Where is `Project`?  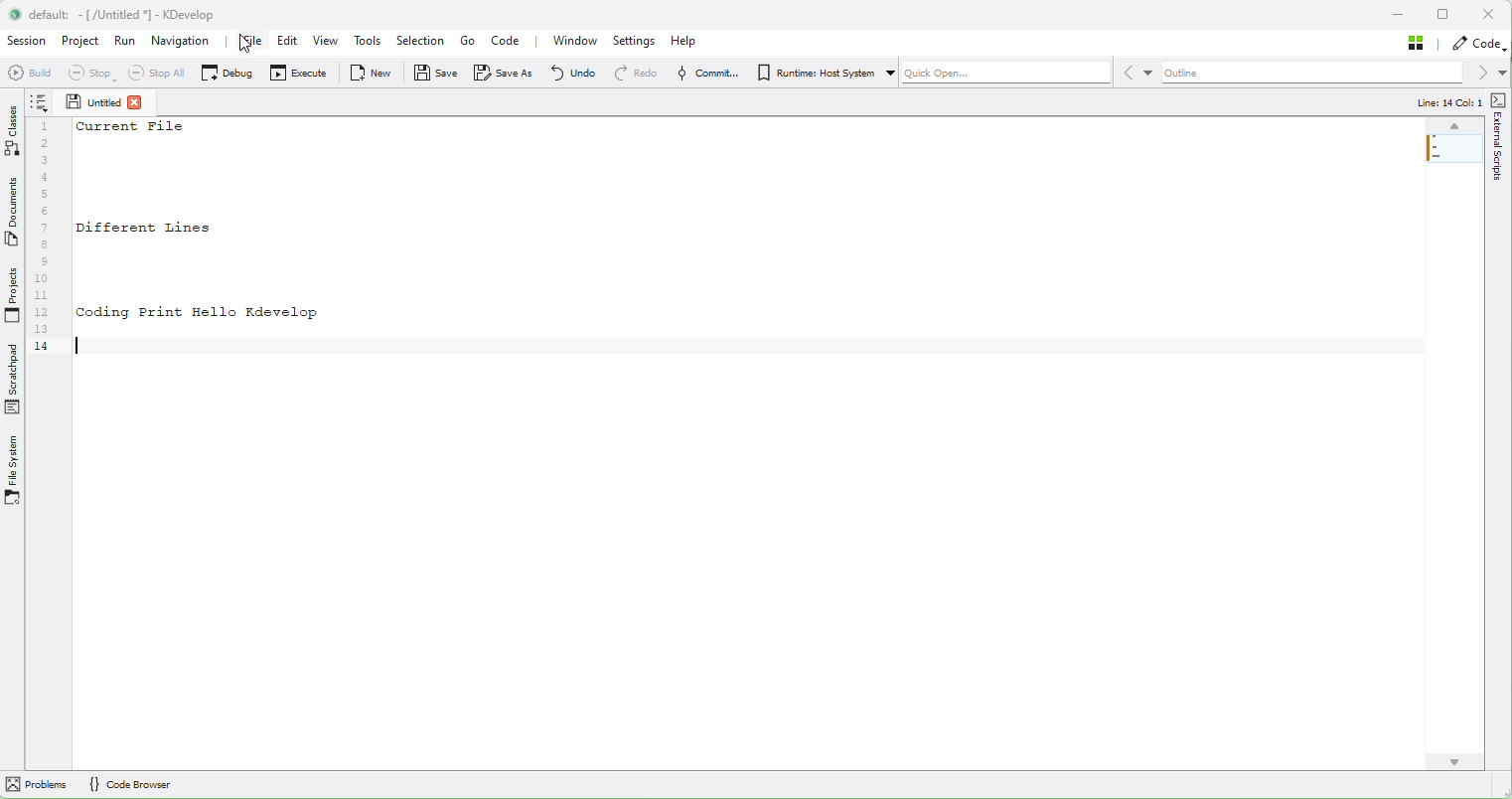
Project is located at coordinates (81, 42).